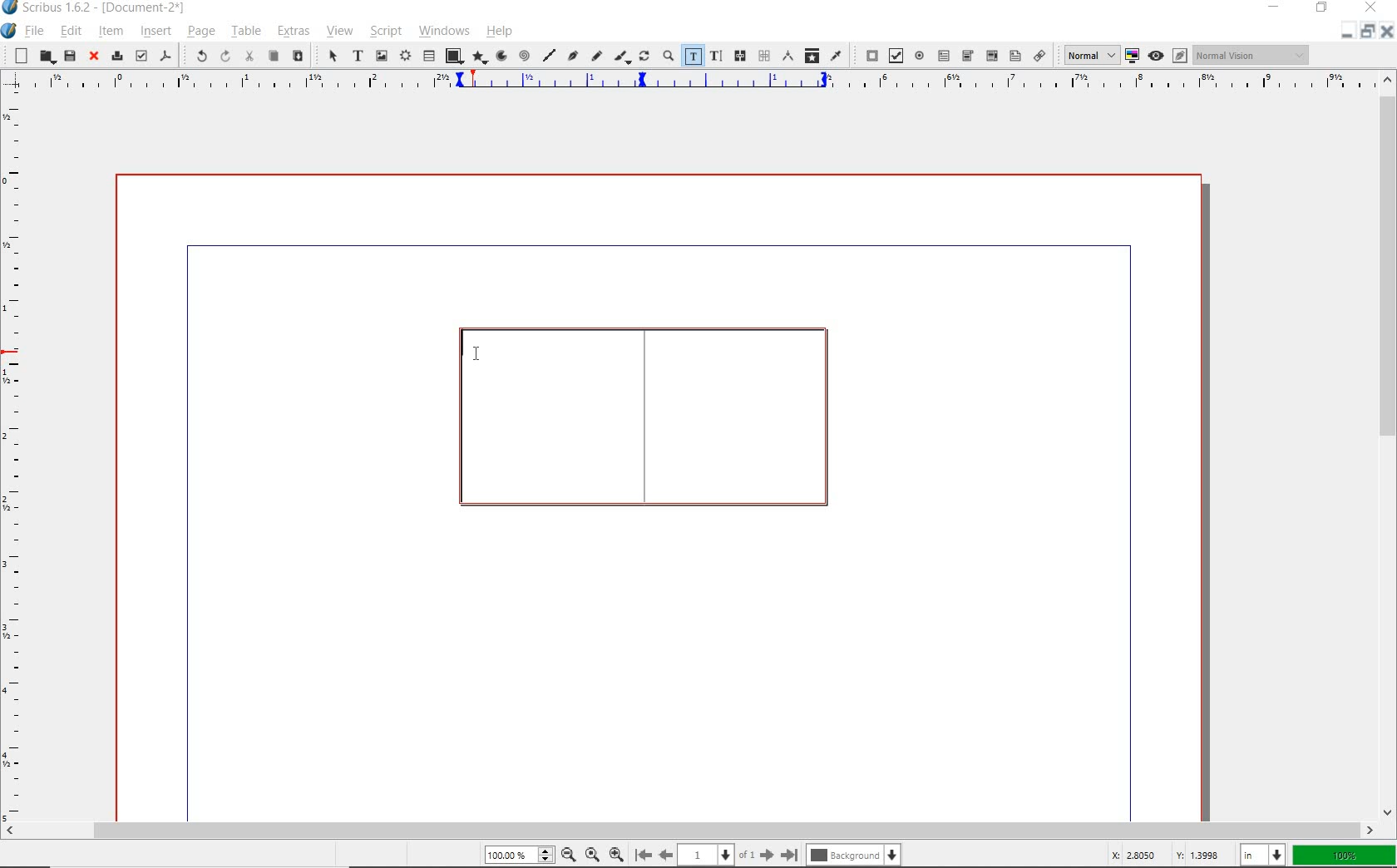  I want to click on pdf check box, so click(893, 55).